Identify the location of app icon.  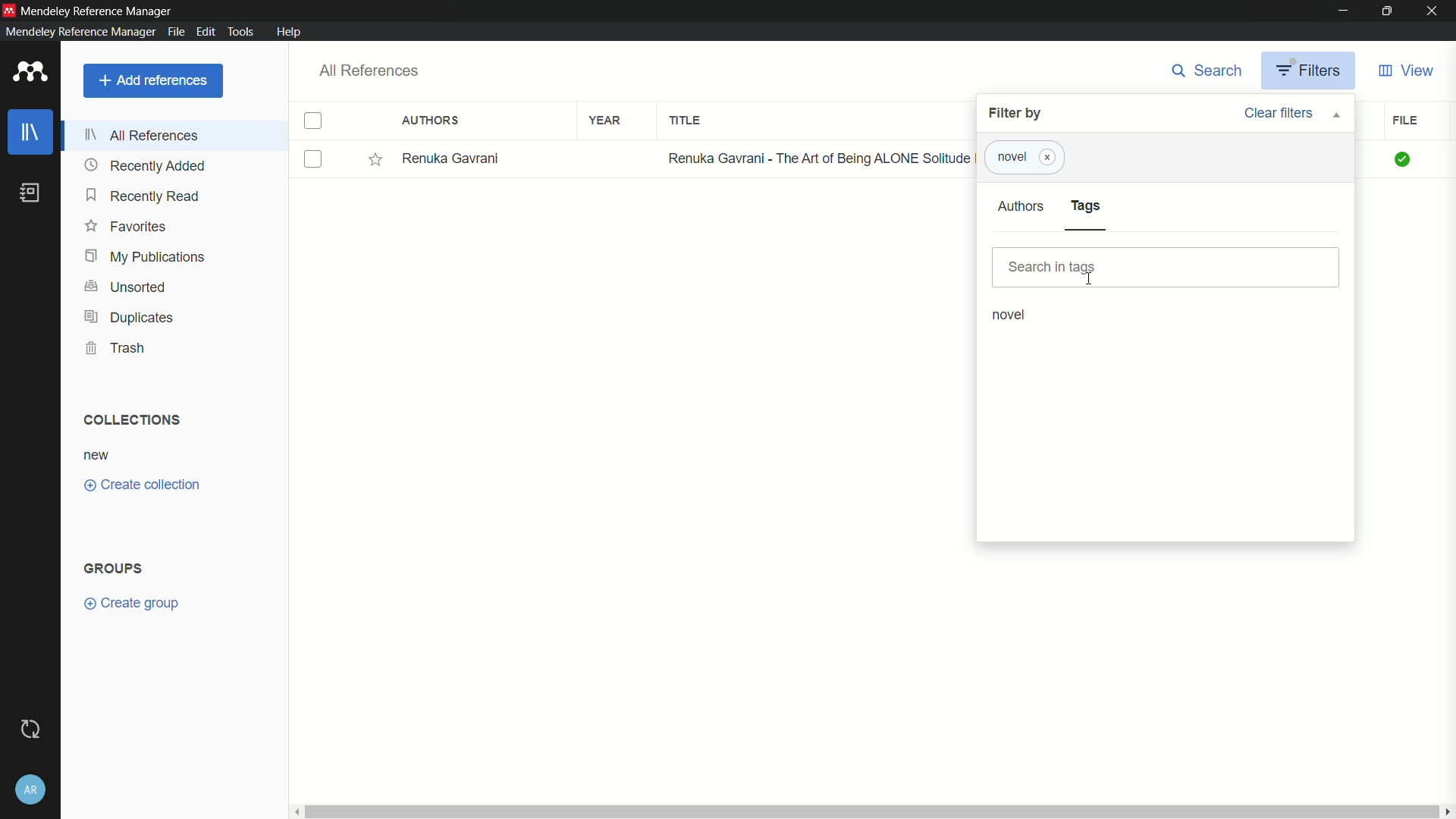
(9, 9).